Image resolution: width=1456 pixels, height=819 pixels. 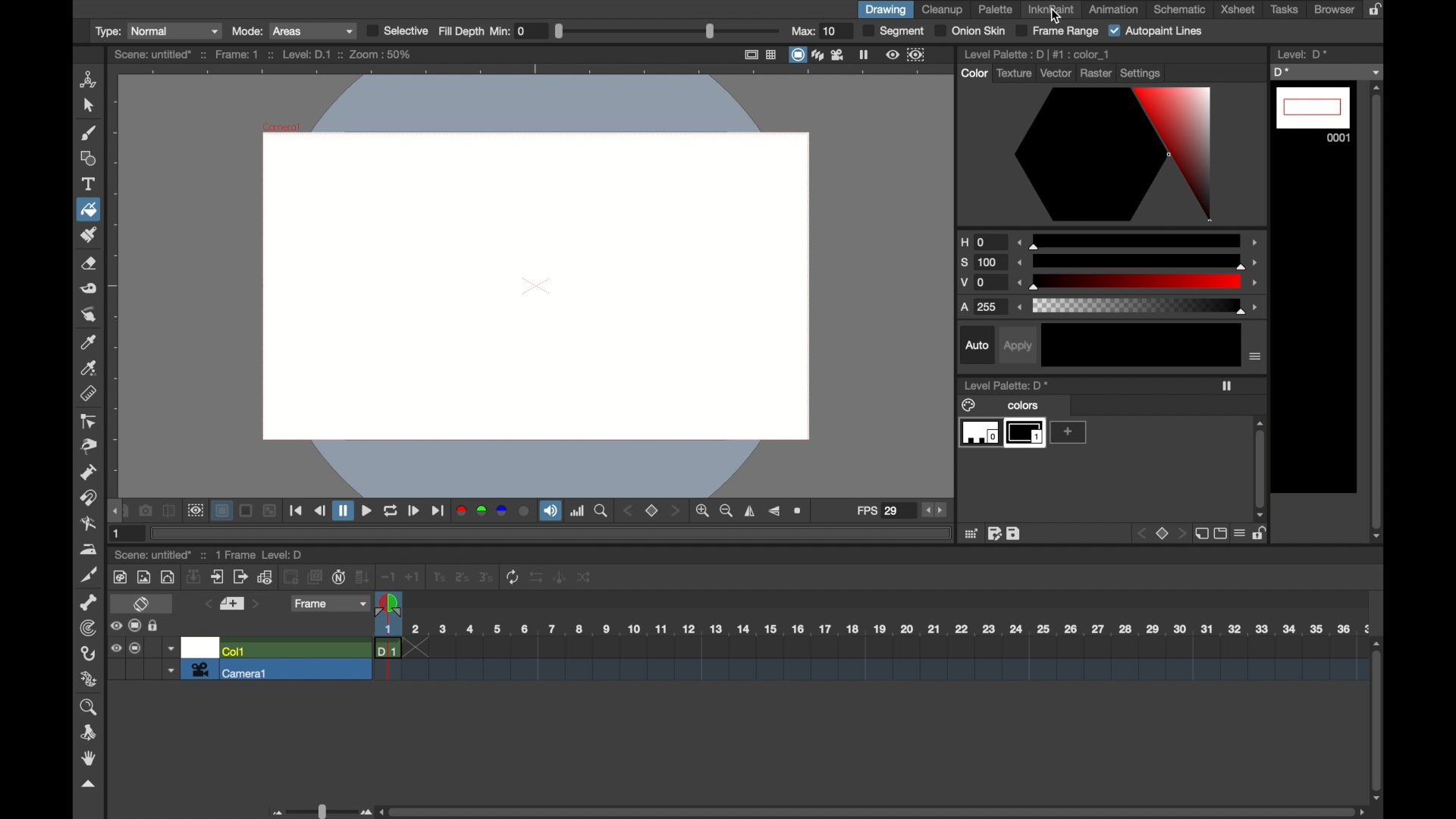 What do you see at coordinates (367, 512) in the screenshot?
I see `forward` at bounding box center [367, 512].